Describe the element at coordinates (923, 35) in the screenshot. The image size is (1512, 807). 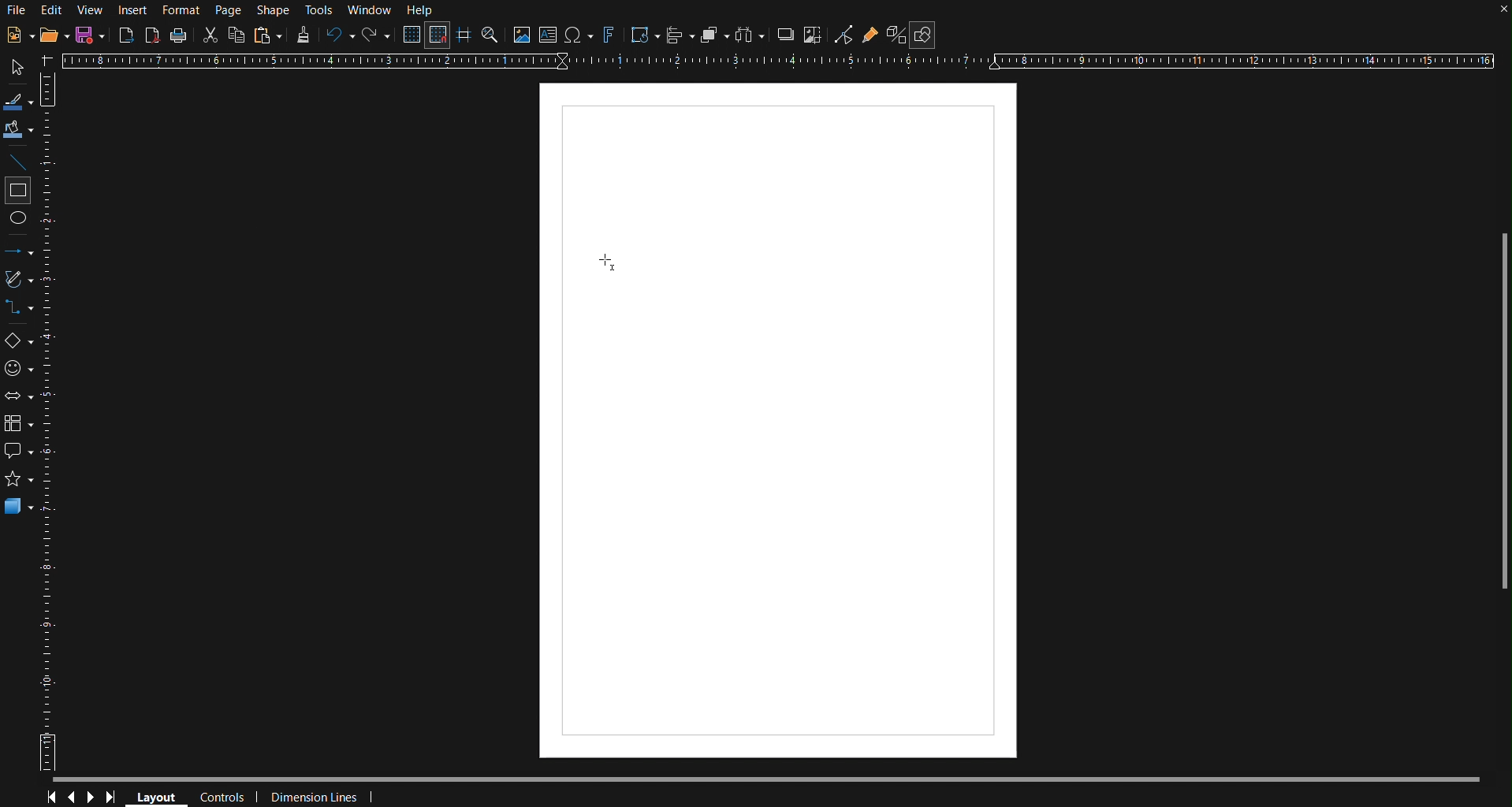
I see `Show Draw Functions` at that location.